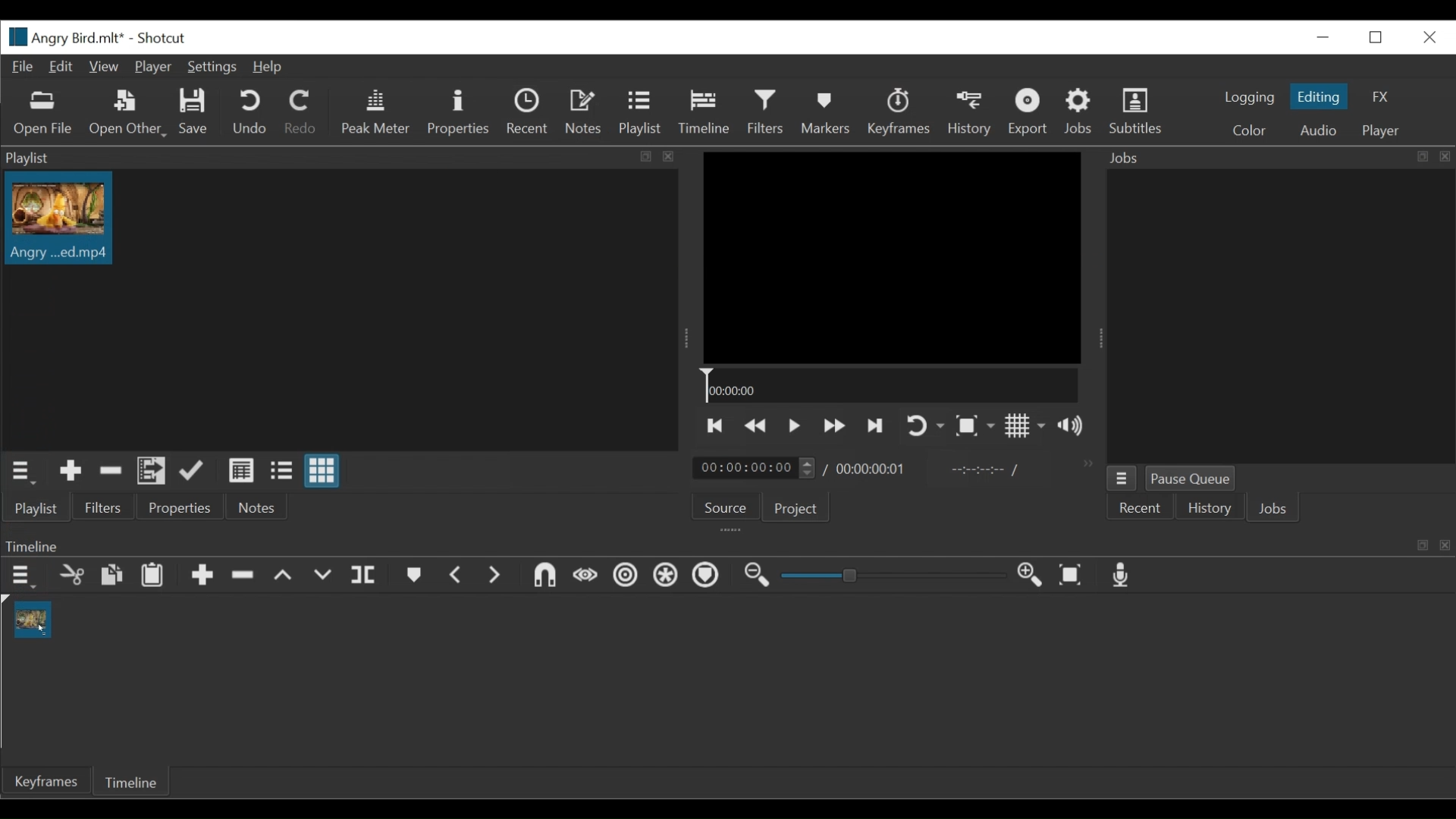  Describe the element at coordinates (166, 37) in the screenshot. I see `Shotcut` at that location.